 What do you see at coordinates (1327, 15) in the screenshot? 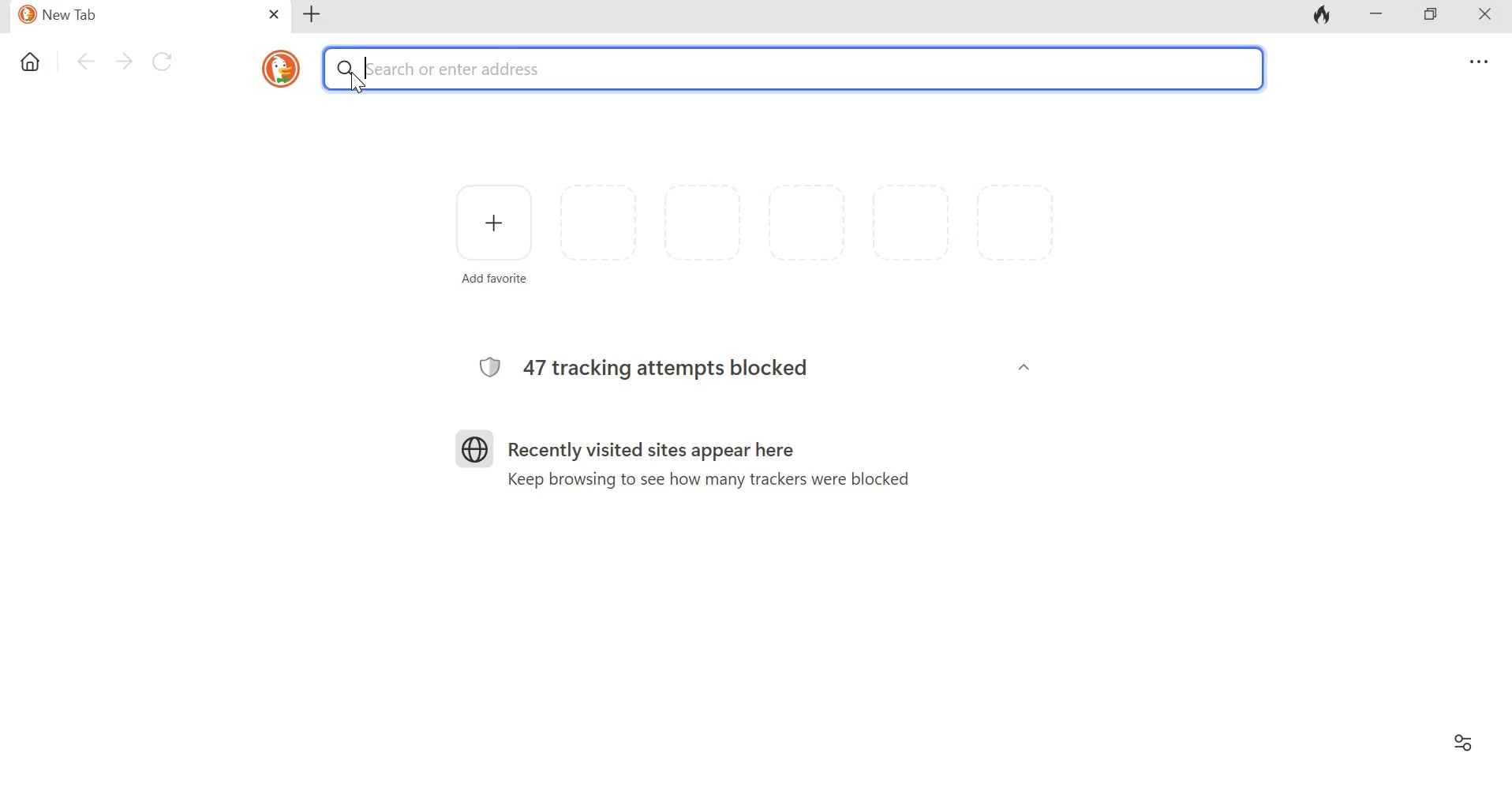
I see `Fire icon` at bounding box center [1327, 15].